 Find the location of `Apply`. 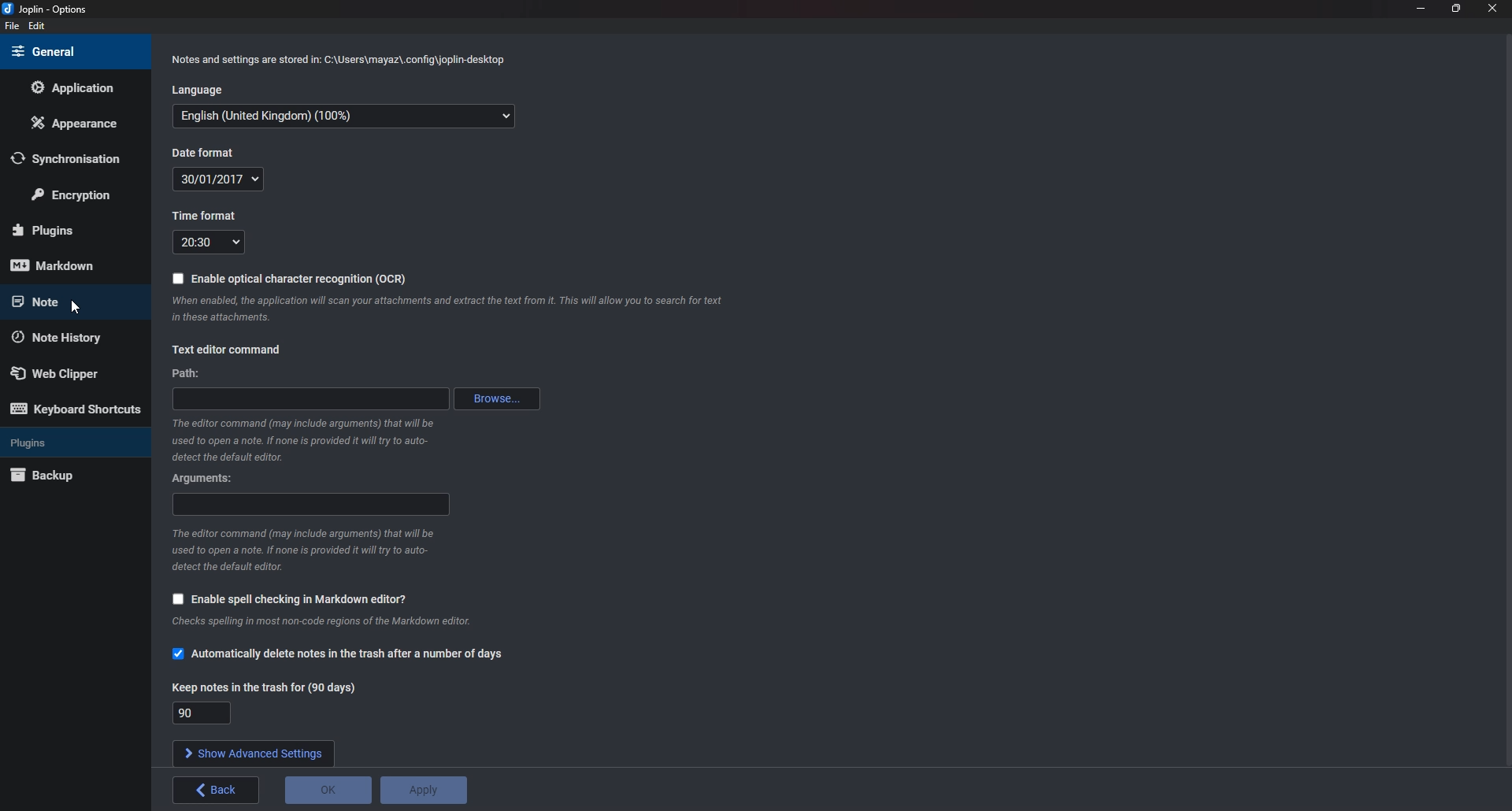

Apply is located at coordinates (425, 788).